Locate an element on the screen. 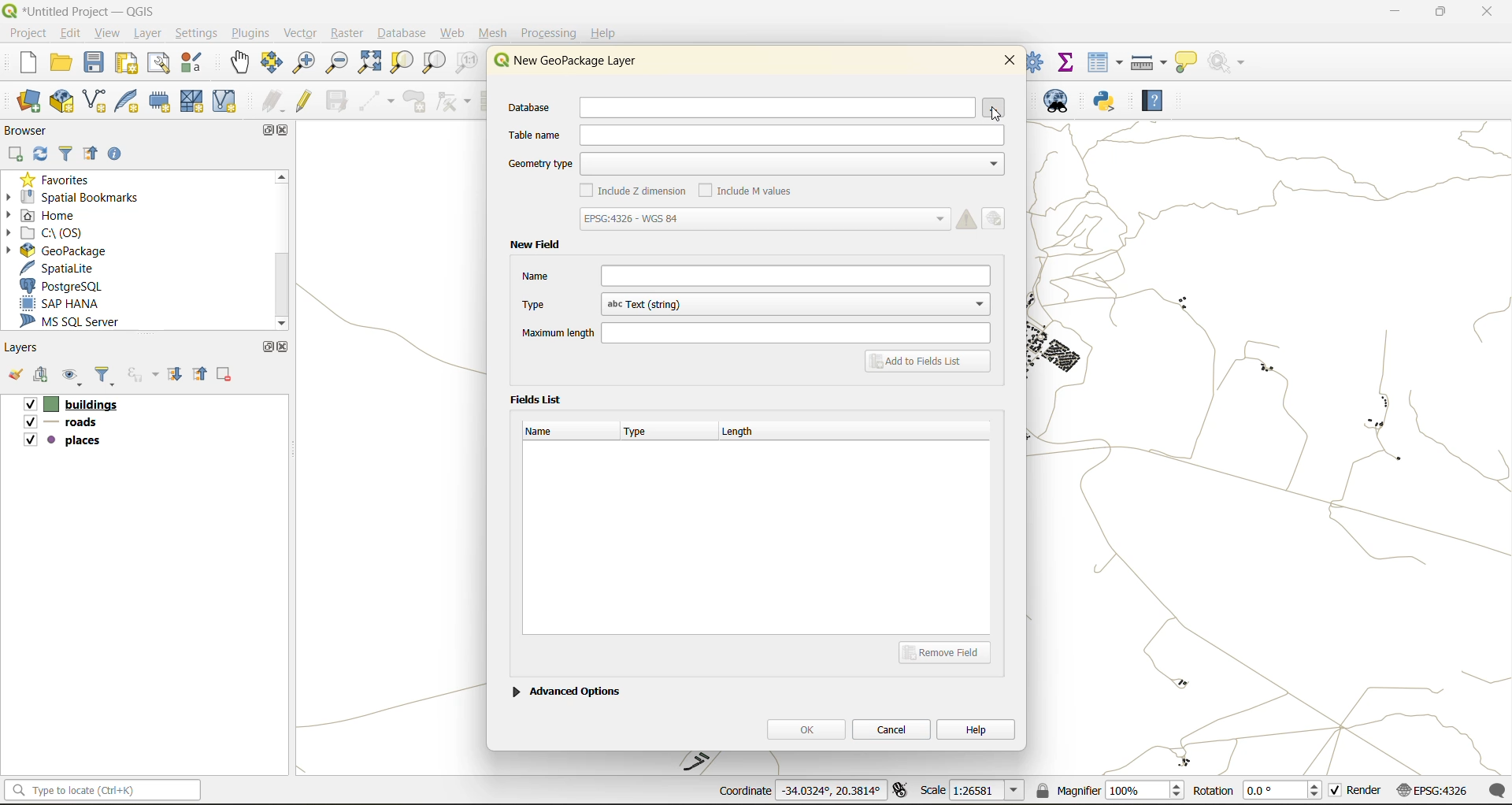 The image size is (1512, 805). filter by expression is located at coordinates (145, 374).